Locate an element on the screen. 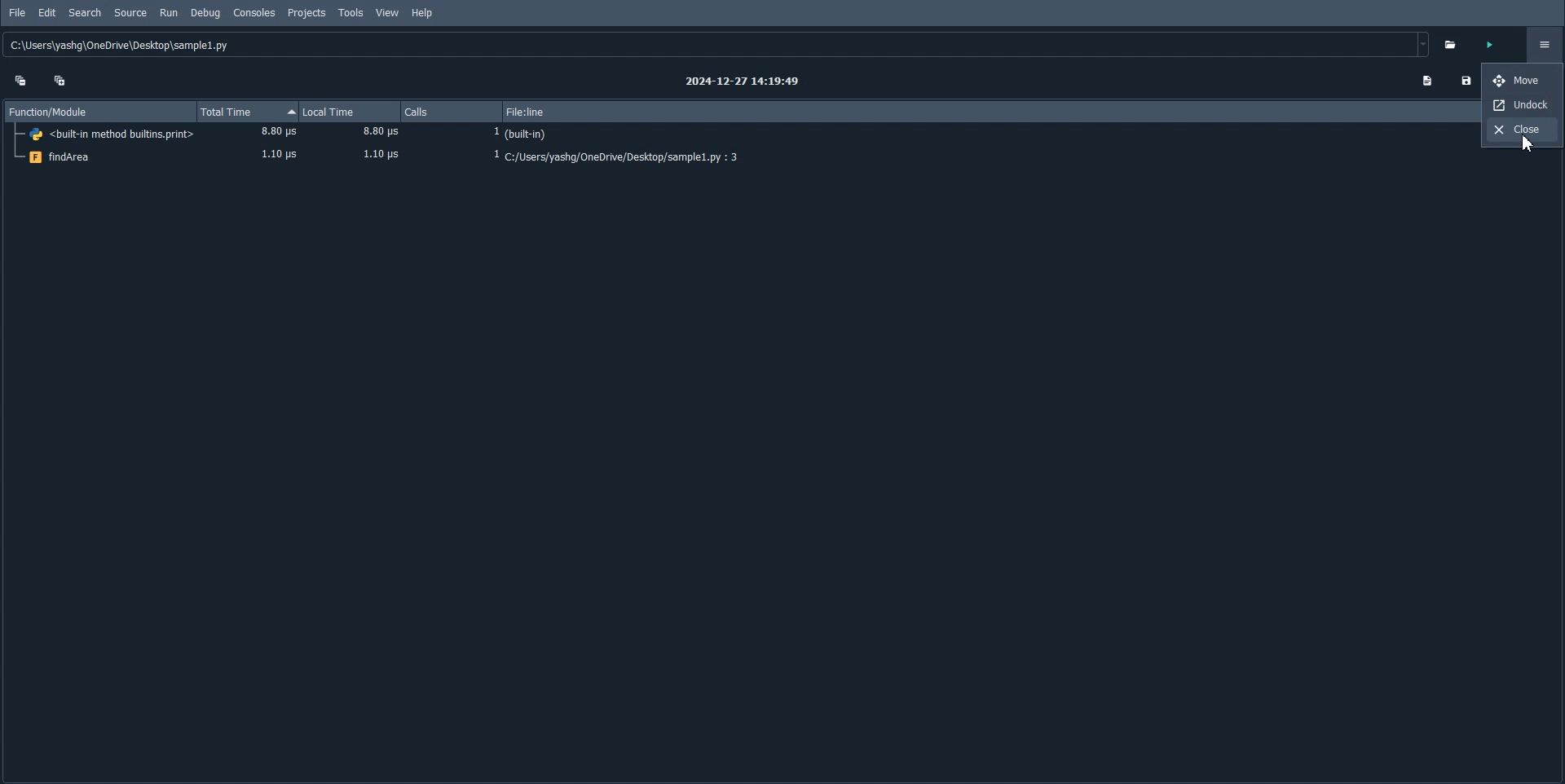 This screenshot has width=1565, height=784. Options is located at coordinates (1537, 44).